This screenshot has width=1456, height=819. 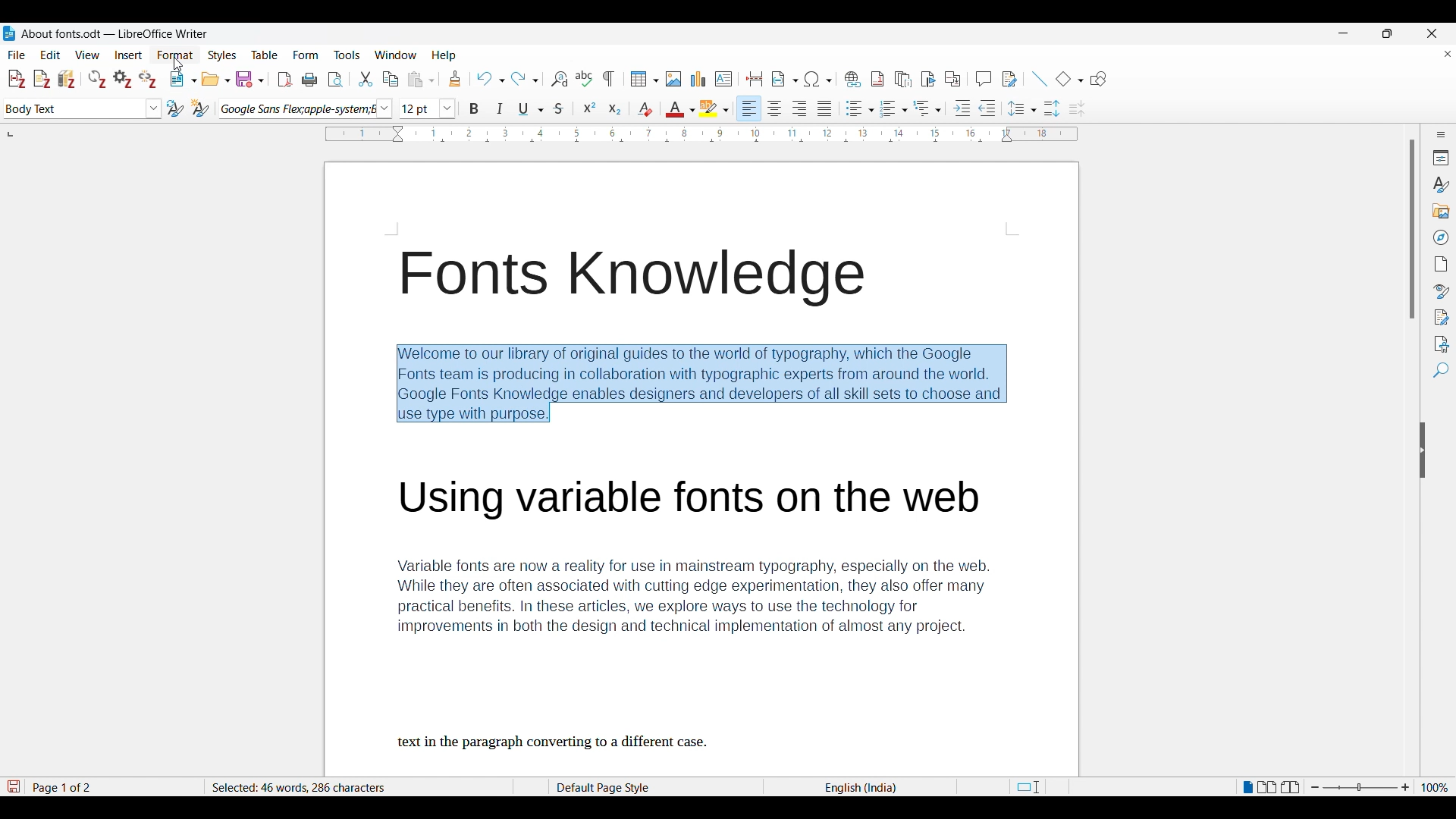 What do you see at coordinates (701, 383) in the screenshot?
I see `Paragraph selected by cursor` at bounding box center [701, 383].